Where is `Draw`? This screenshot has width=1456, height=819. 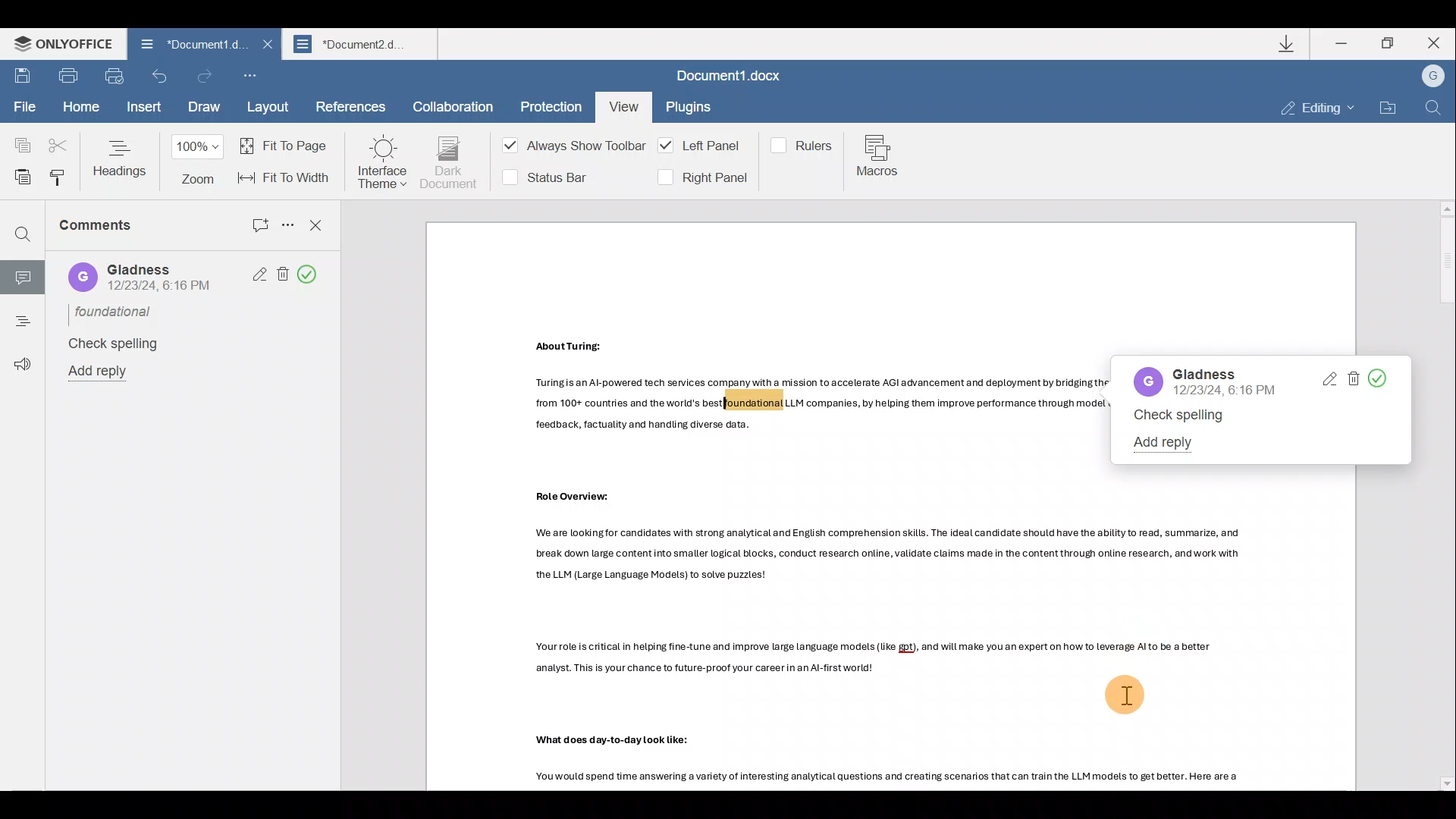
Draw is located at coordinates (202, 108).